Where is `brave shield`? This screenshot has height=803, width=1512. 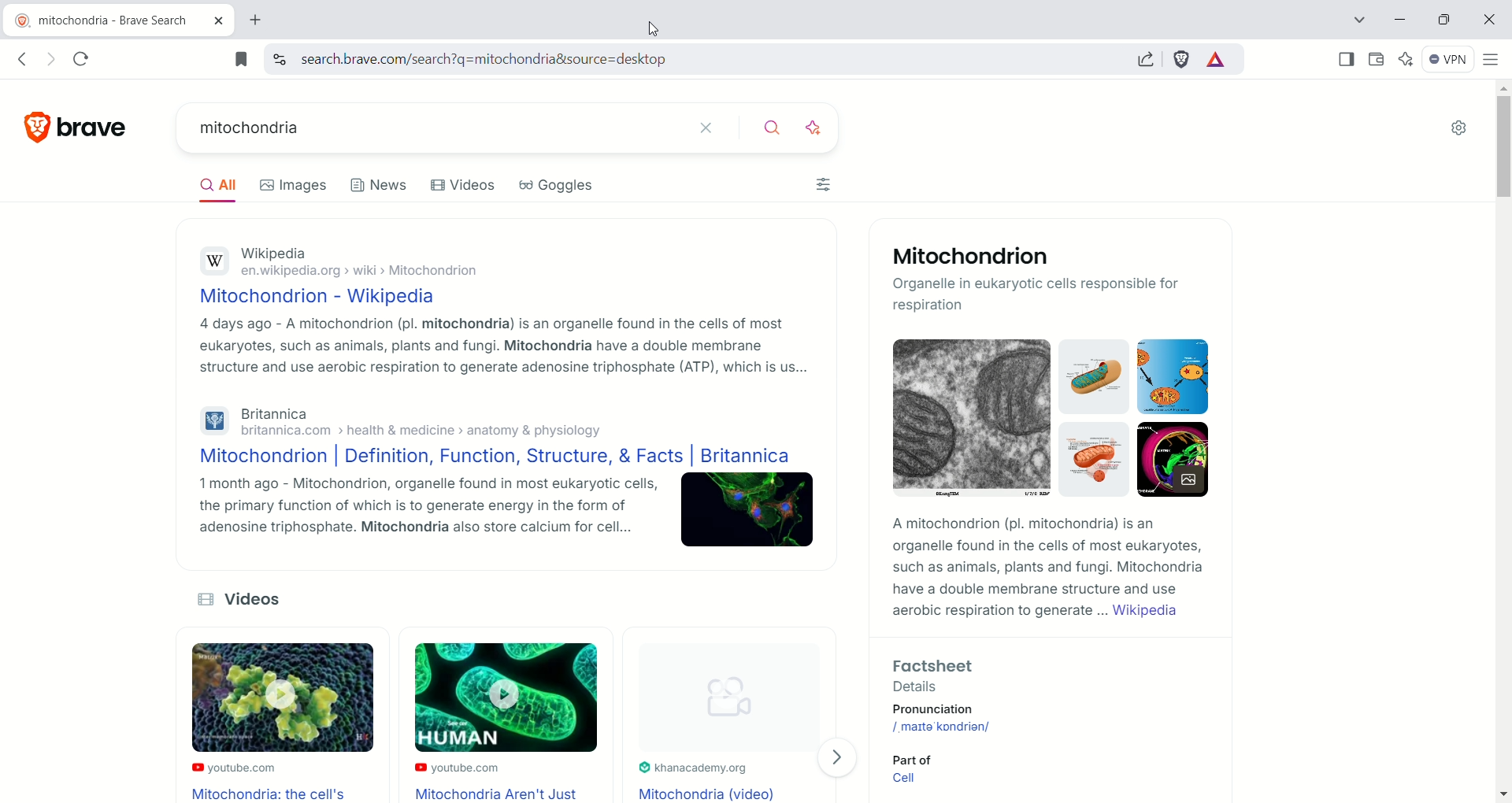
brave shield is located at coordinates (1183, 61).